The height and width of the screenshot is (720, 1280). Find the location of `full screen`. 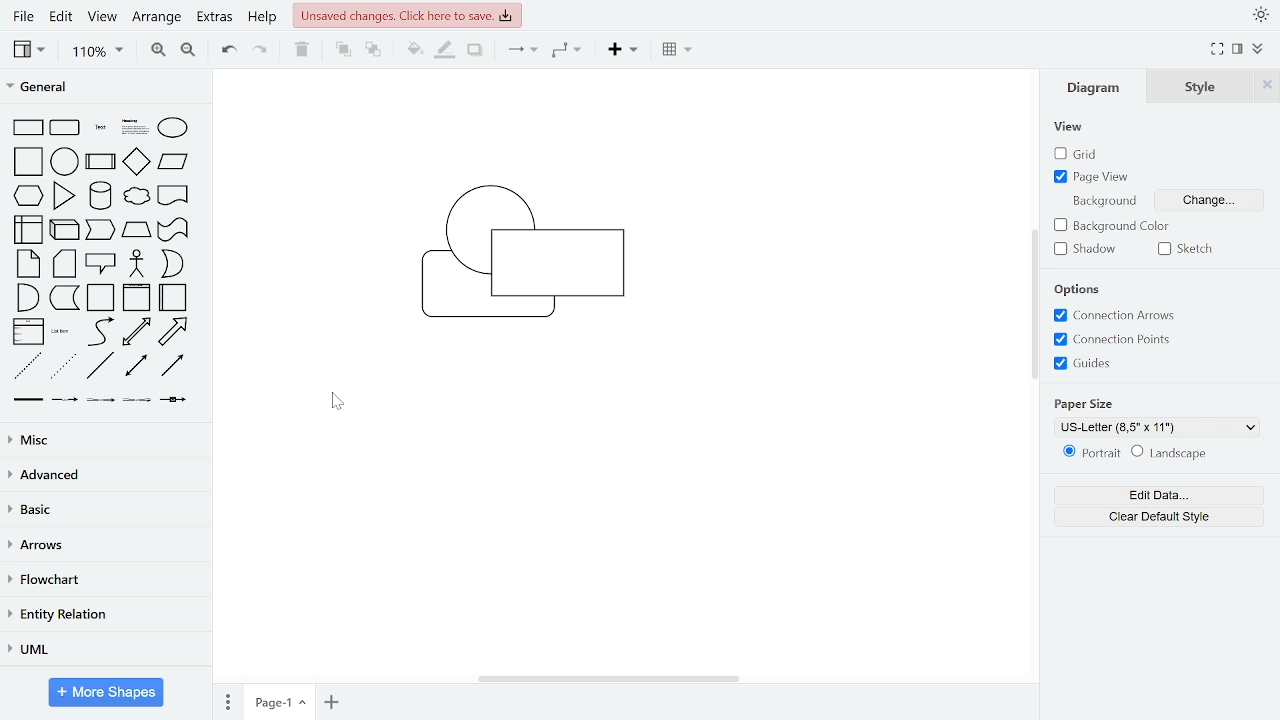

full screen is located at coordinates (1217, 49).